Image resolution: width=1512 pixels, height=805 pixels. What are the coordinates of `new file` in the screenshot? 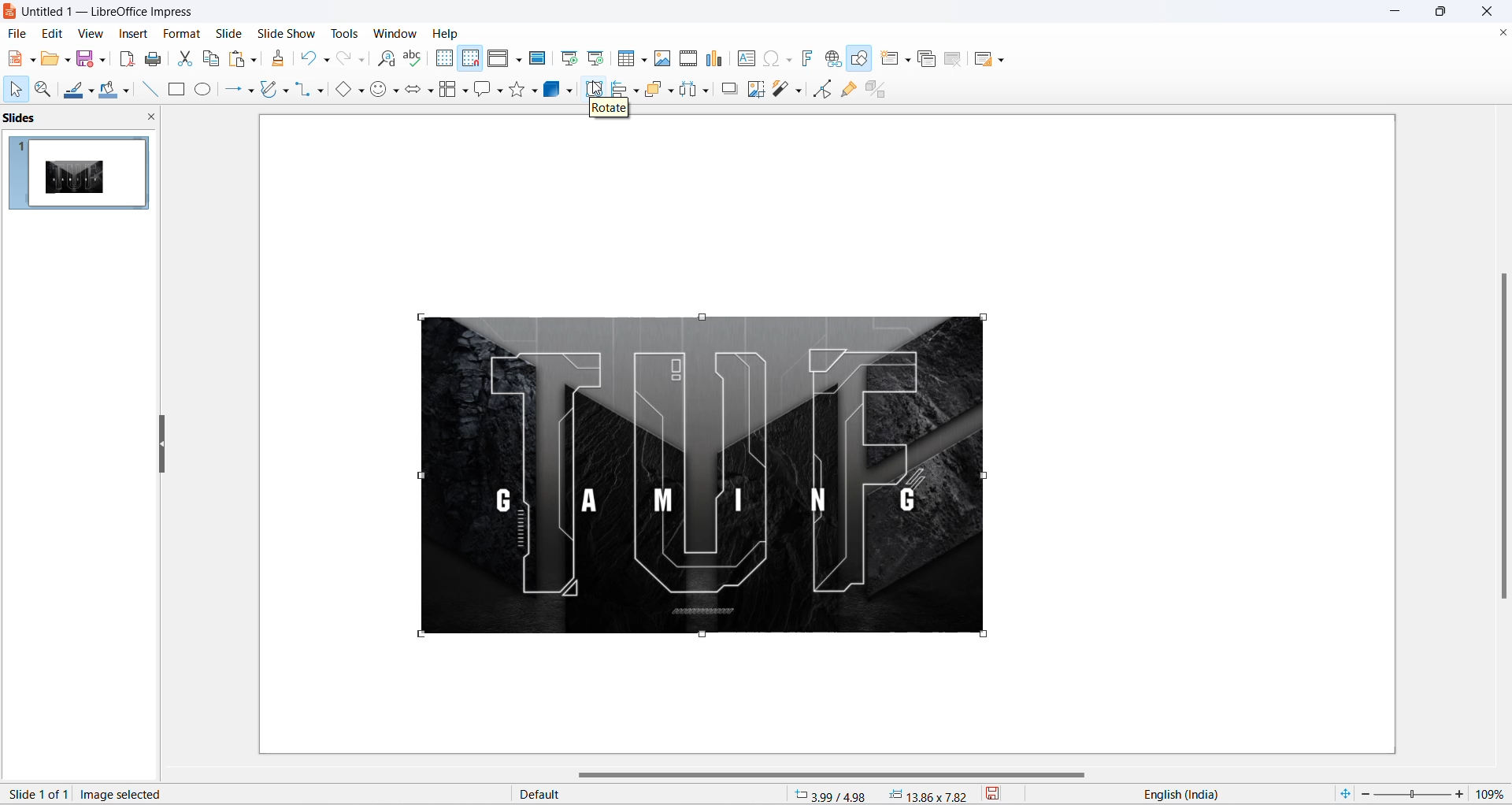 It's located at (15, 59).